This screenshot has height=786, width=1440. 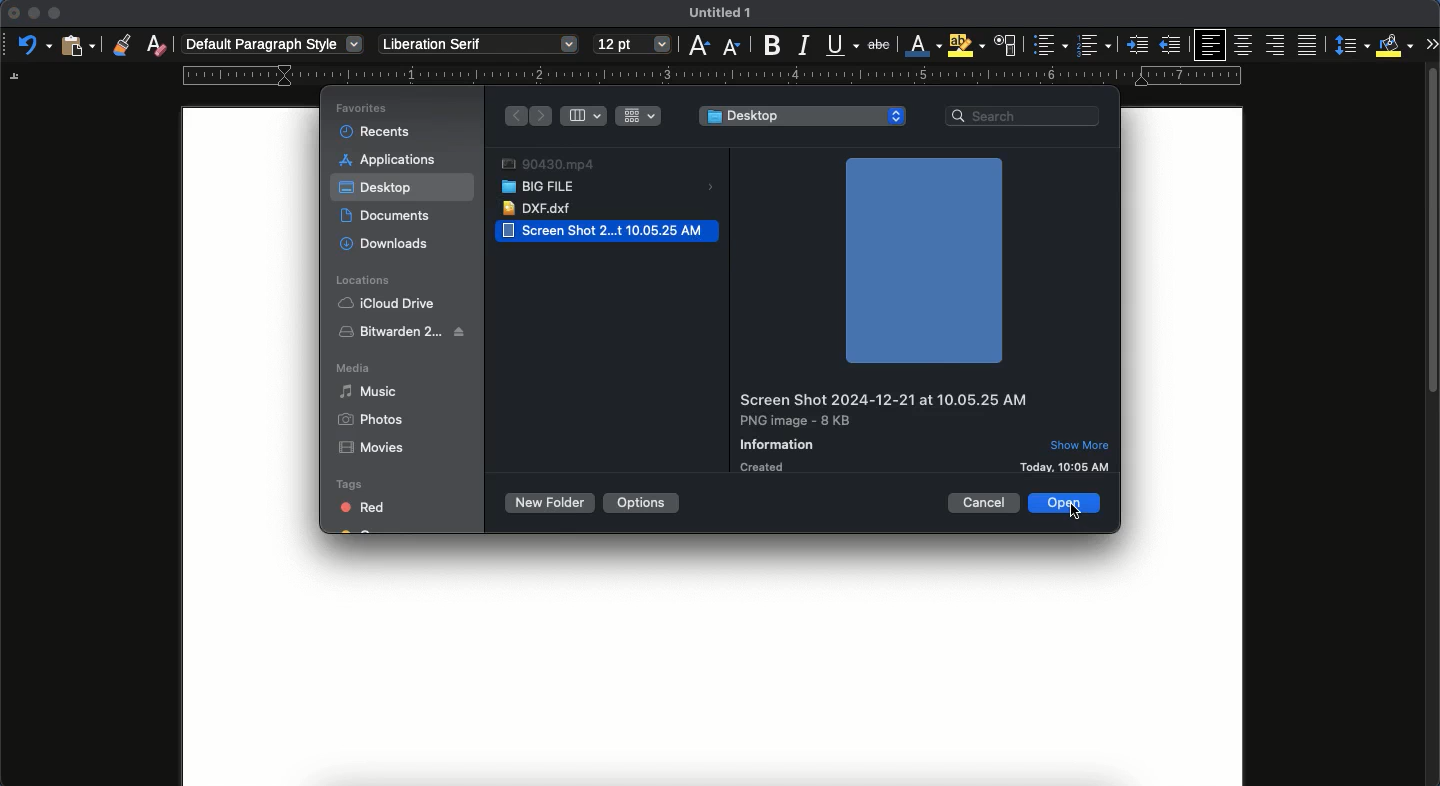 What do you see at coordinates (1081, 444) in the screenshot?
I see `show more` at bounding box center [1081, 444].